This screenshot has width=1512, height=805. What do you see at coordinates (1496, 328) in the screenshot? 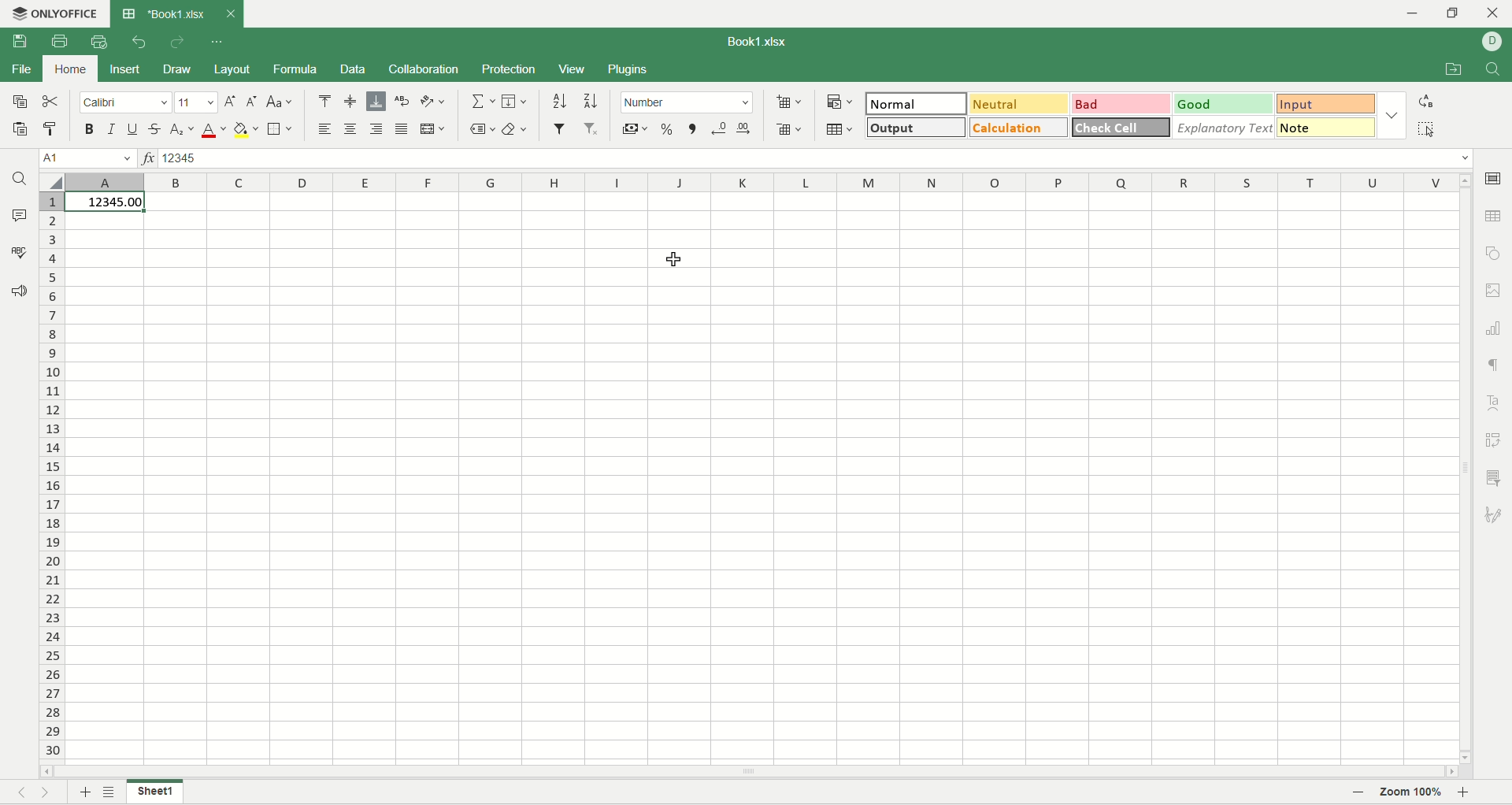
I see `graph settings` at bounding box center [1496, 328].